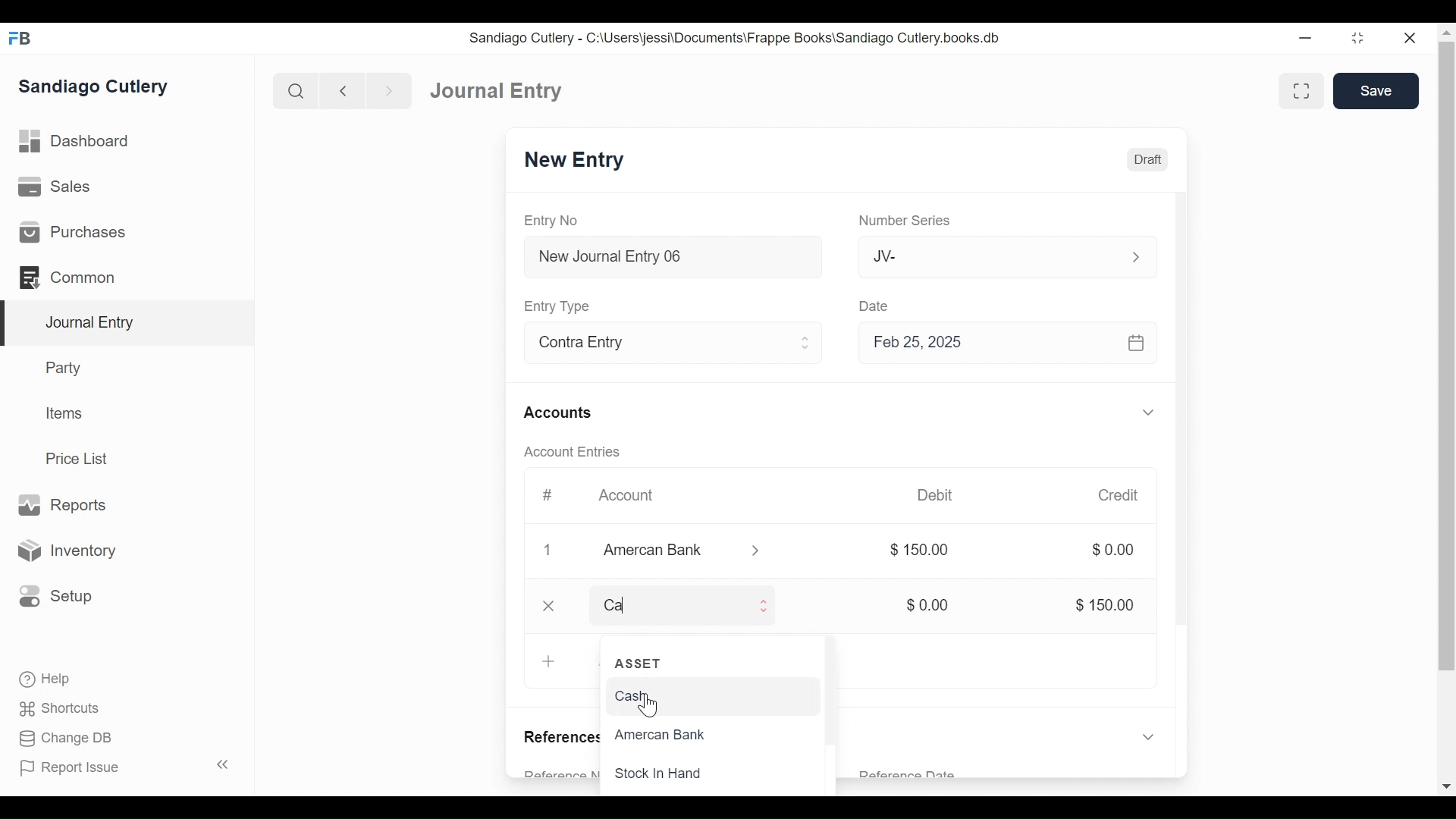 The image size is (1456, 819). I want to click on Expand, so click(773, 608).